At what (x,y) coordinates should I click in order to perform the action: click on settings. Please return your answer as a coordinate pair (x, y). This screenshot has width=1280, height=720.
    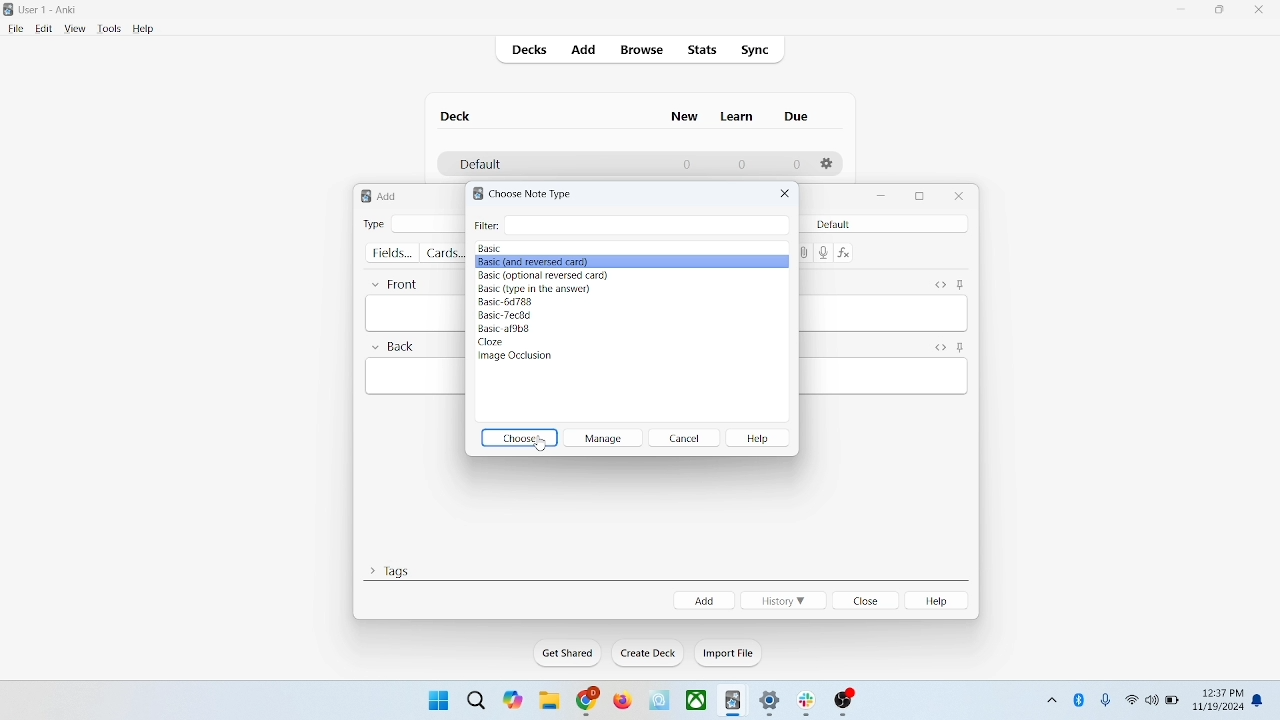
    Looking at the image, I should click on (771, 704).